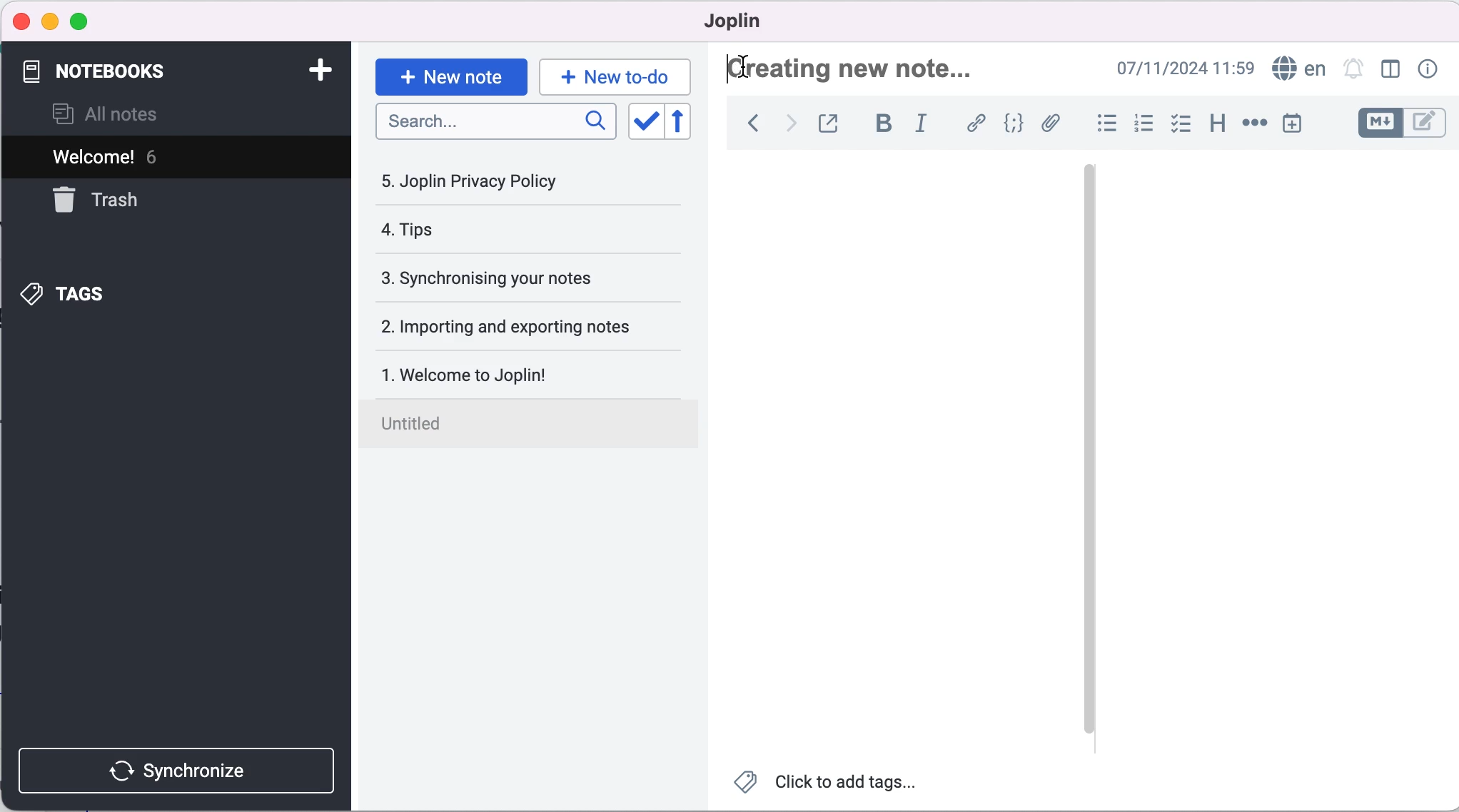 The height and width of the screenshot is (812, 1459). Describe the element at coordinates (86, 20) in the screenshot. I see `maximize` at that location.